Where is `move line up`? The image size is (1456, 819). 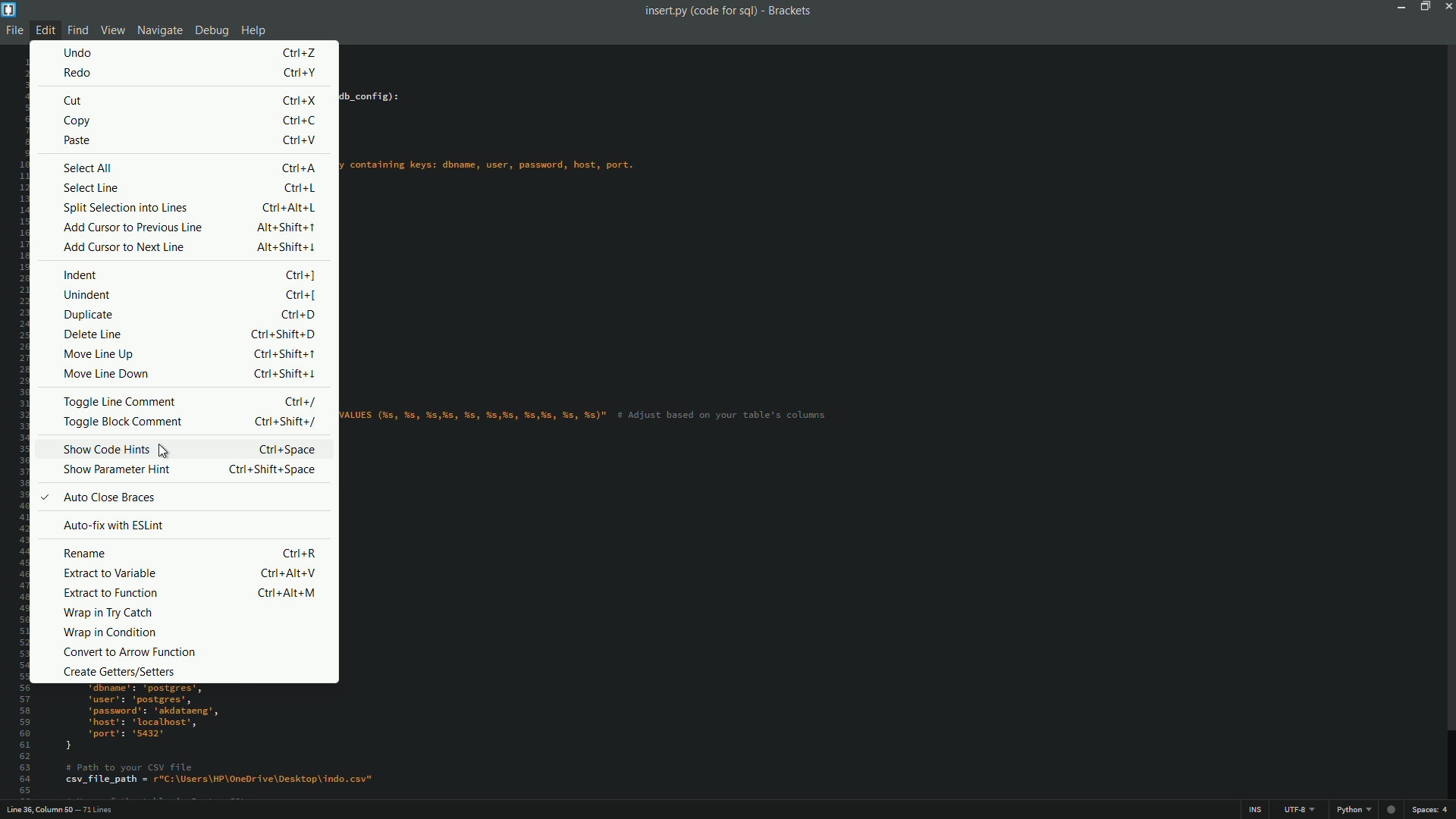
move line up is located at coordinates (99, 354).